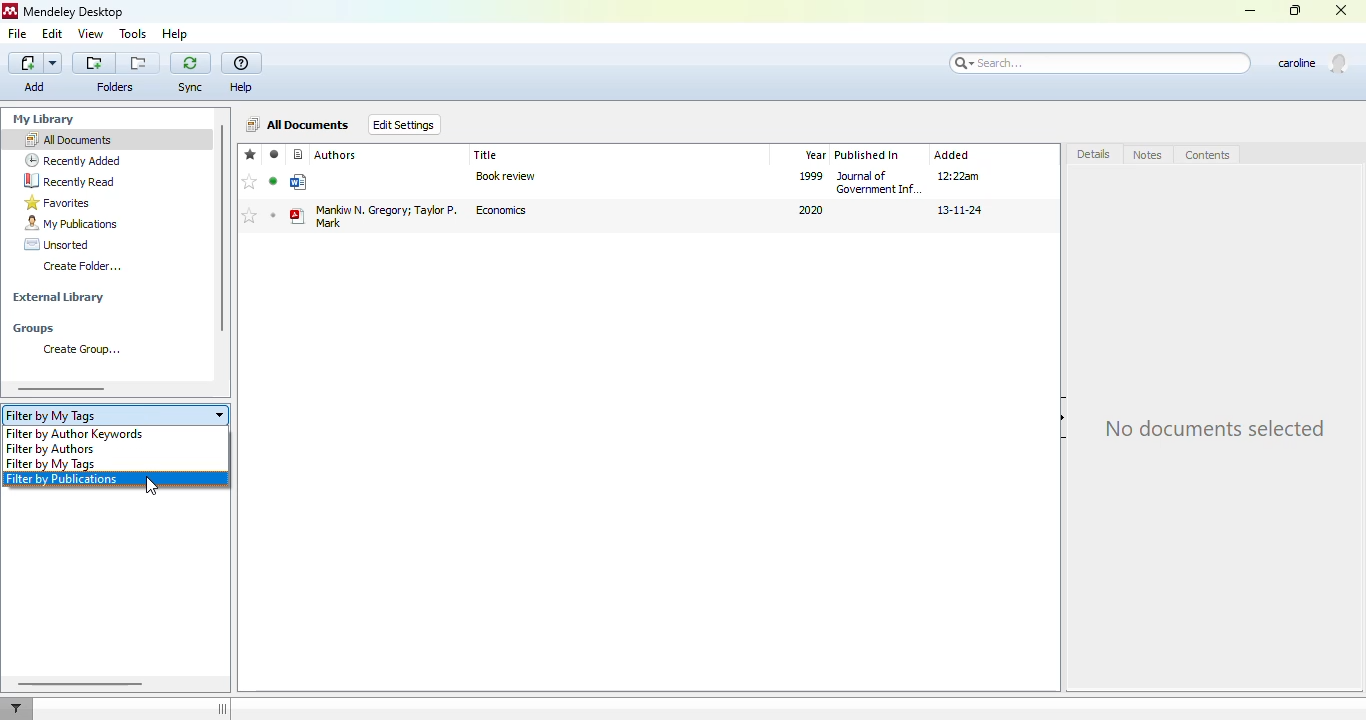  Describe the element at coordinates (952, 155) in the screenshot. I see `added` at that location.